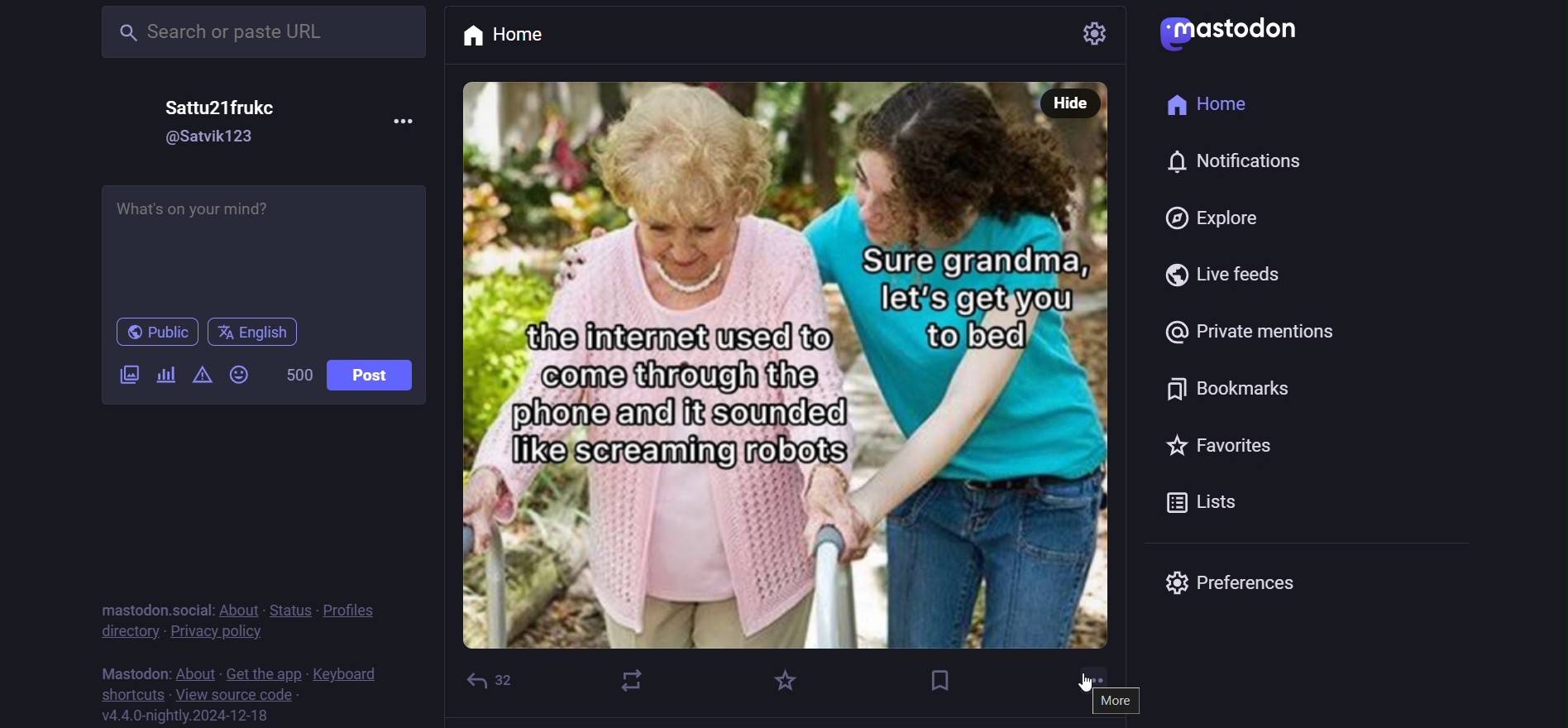 Image resolution: width=1568 pixels, height=728 pixels. What do you see at coordinates (1241, 583) in the screenshot?
I see `preferences` at bounding box center [1241, 583].